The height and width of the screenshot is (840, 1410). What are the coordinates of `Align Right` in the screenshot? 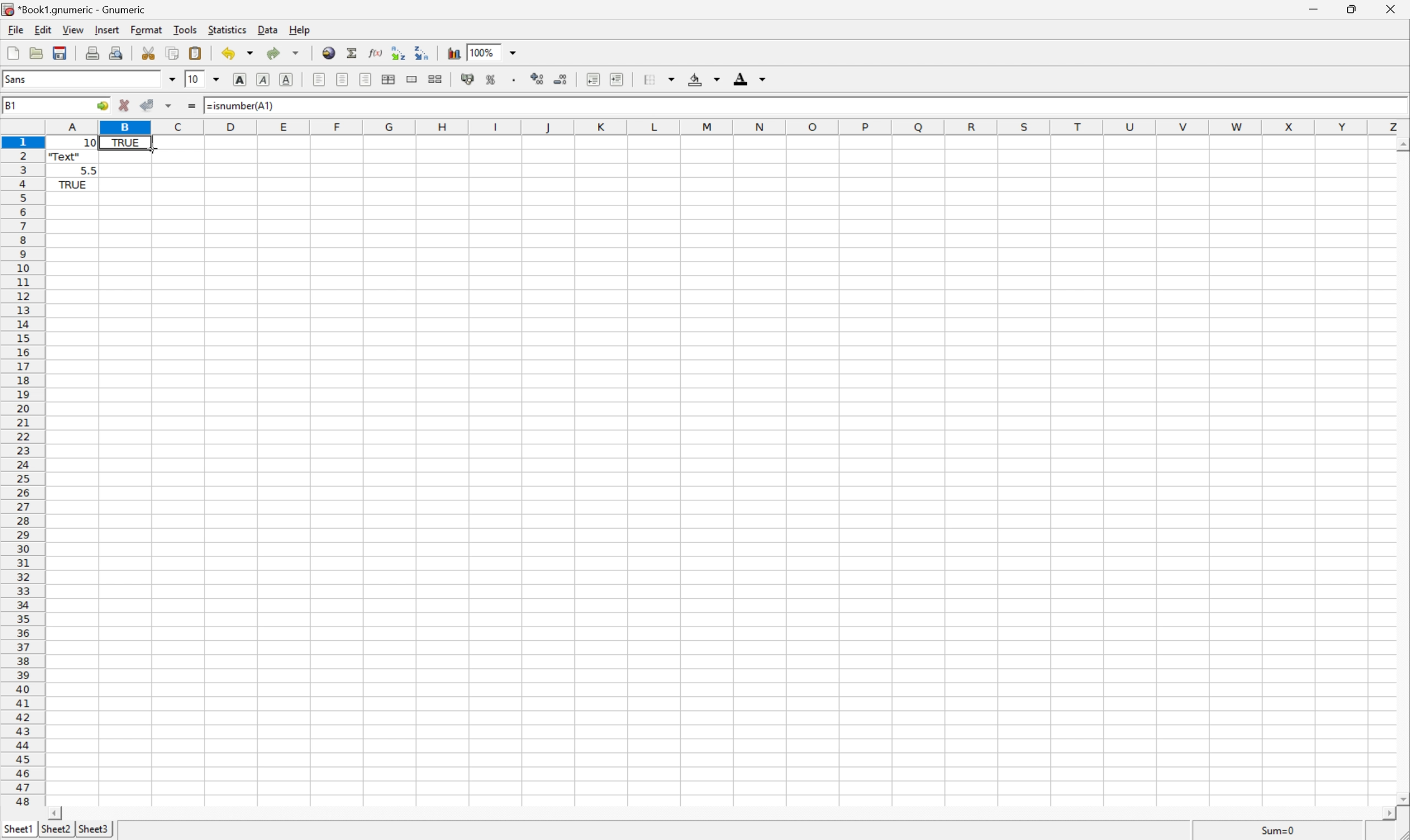 It's located at (364, 80).